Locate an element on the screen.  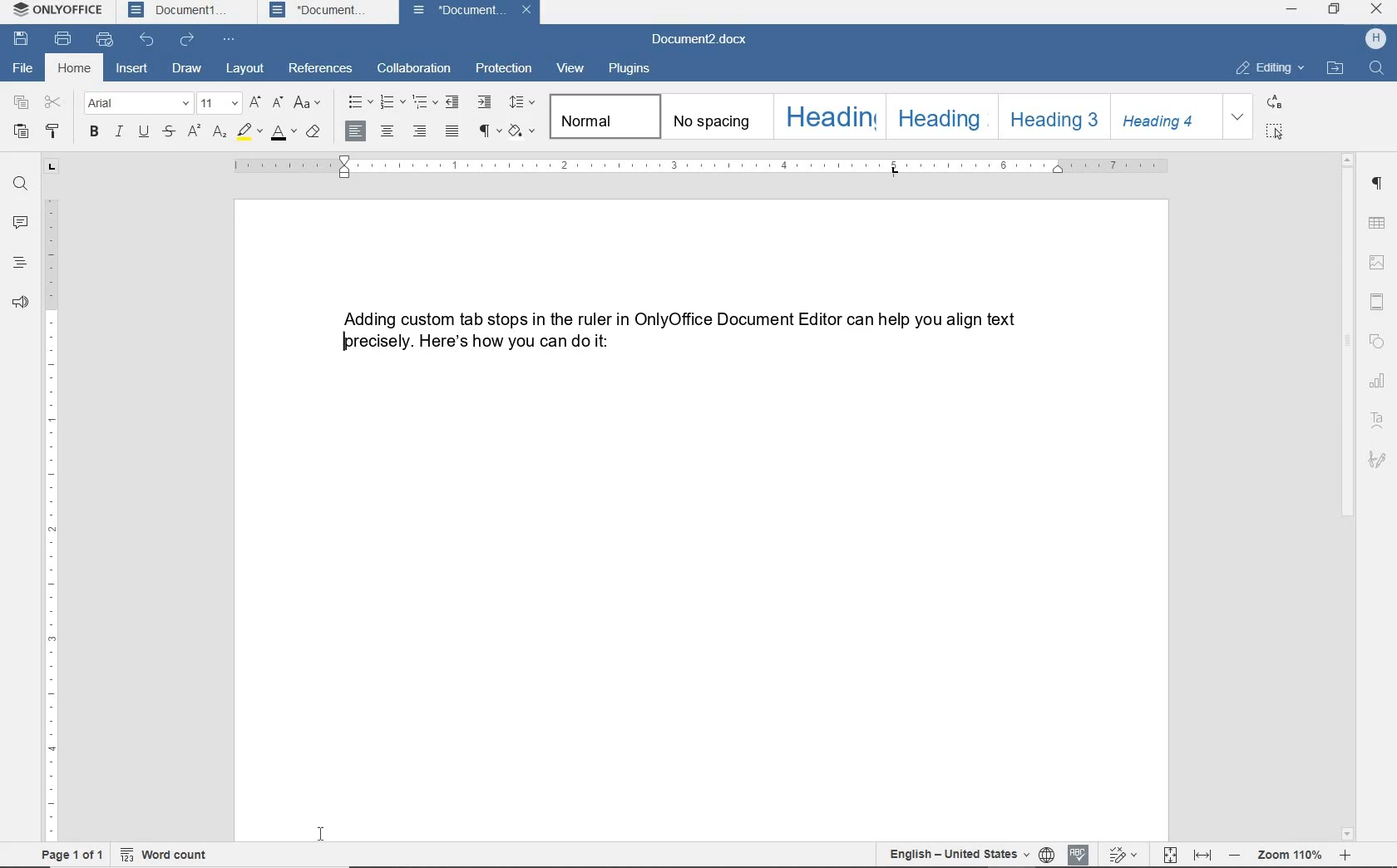
decrease indent is located at coordinates (452, 104).